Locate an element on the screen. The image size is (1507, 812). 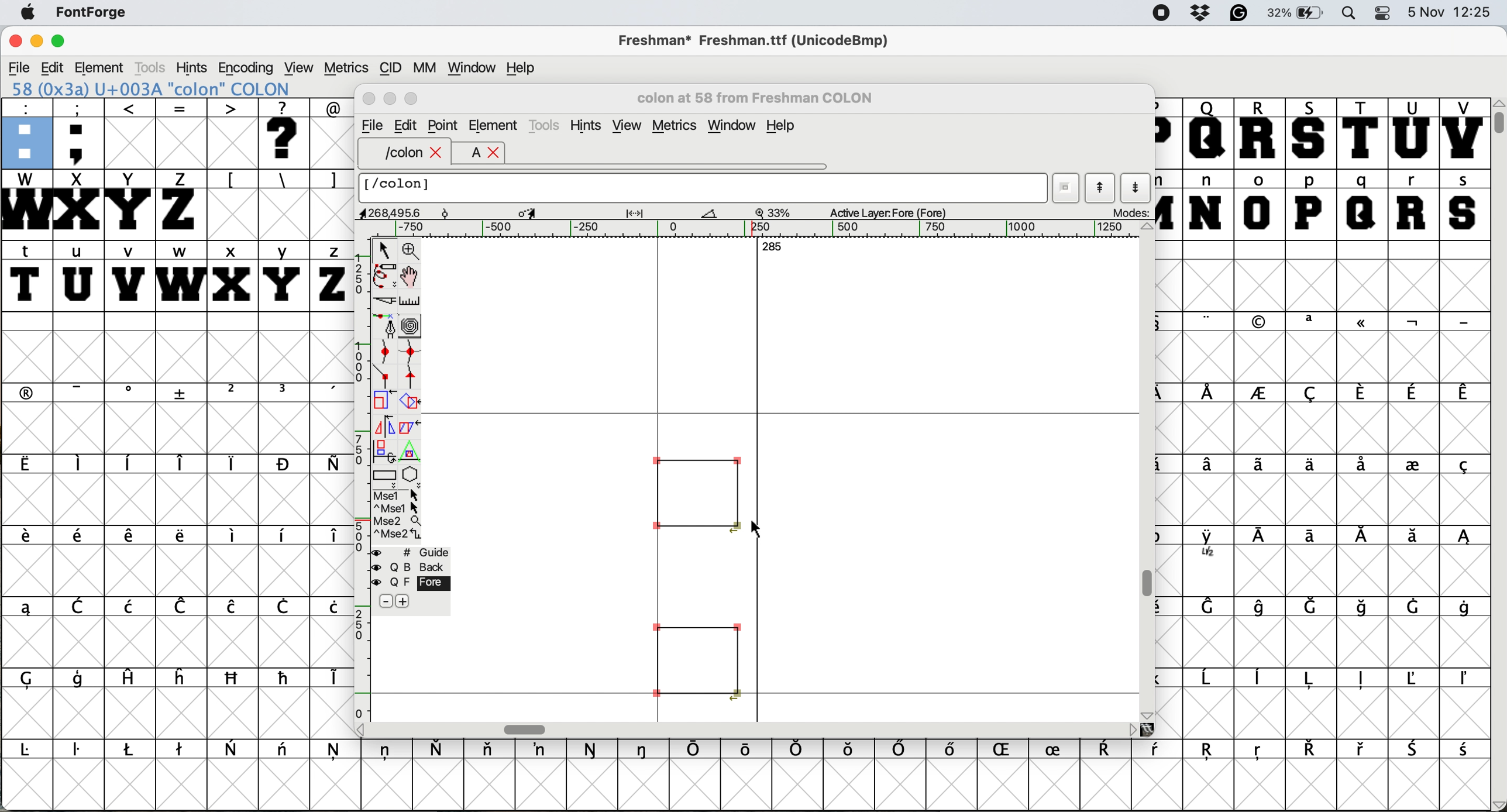
symbol is located at coordinates (234, 679).